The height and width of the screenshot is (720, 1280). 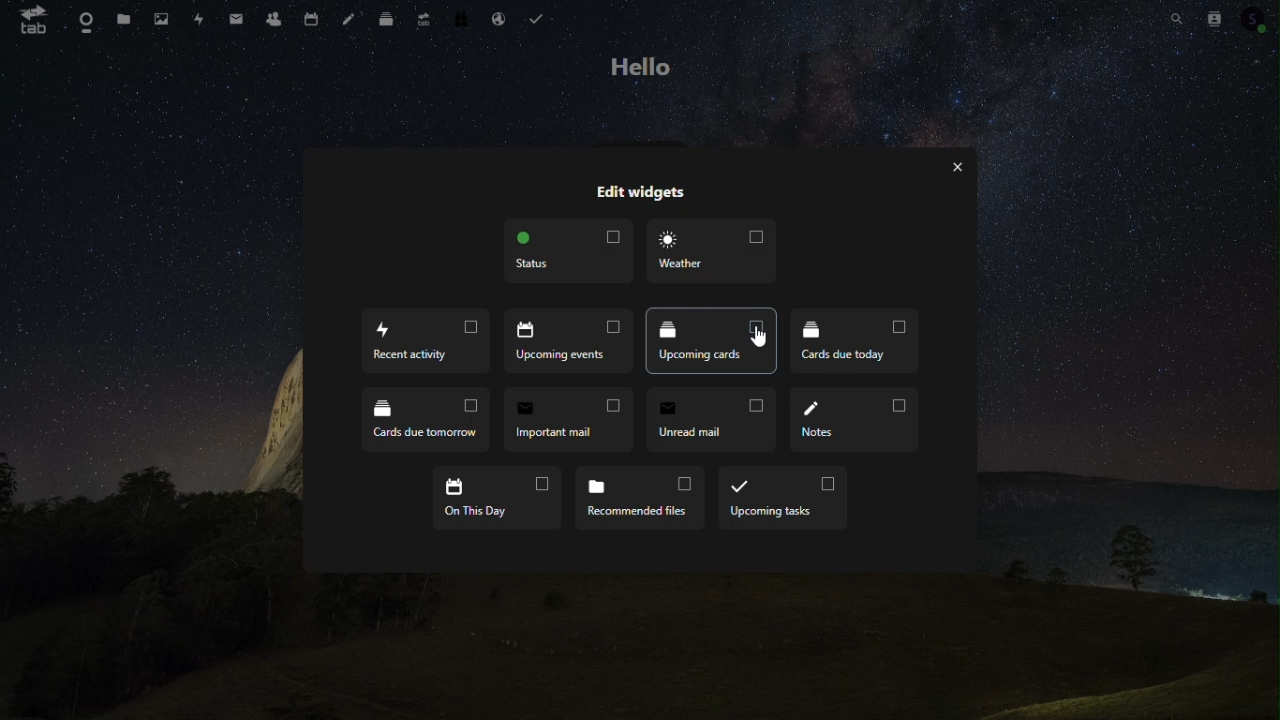 What do you see at coordinates (637, 499) in the screenshot?
I see `Recommended files` at bounding box center [637, 499].